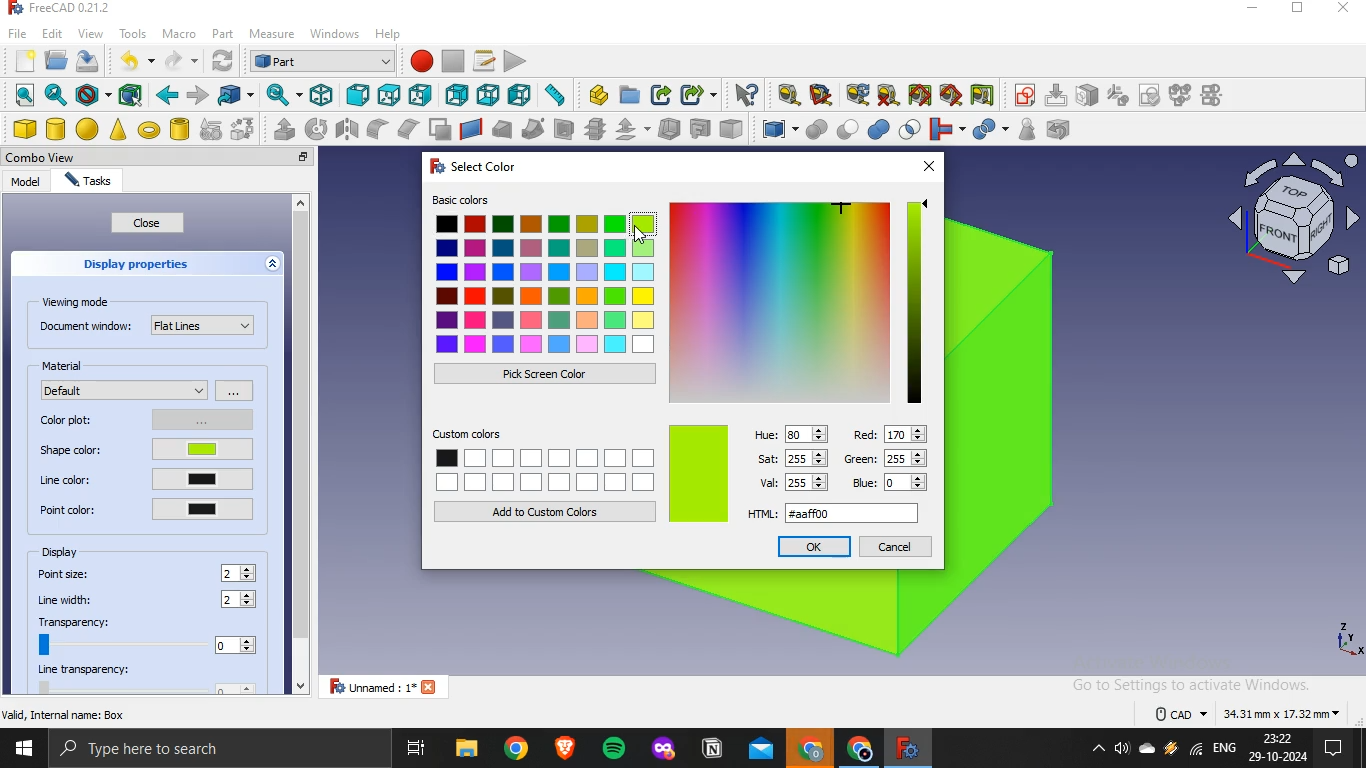 Image resolution: width=1366 pixels, height=768 pixels. Describe the element at coordinates (66, 714) in the screenshot. I see `text` at that location.